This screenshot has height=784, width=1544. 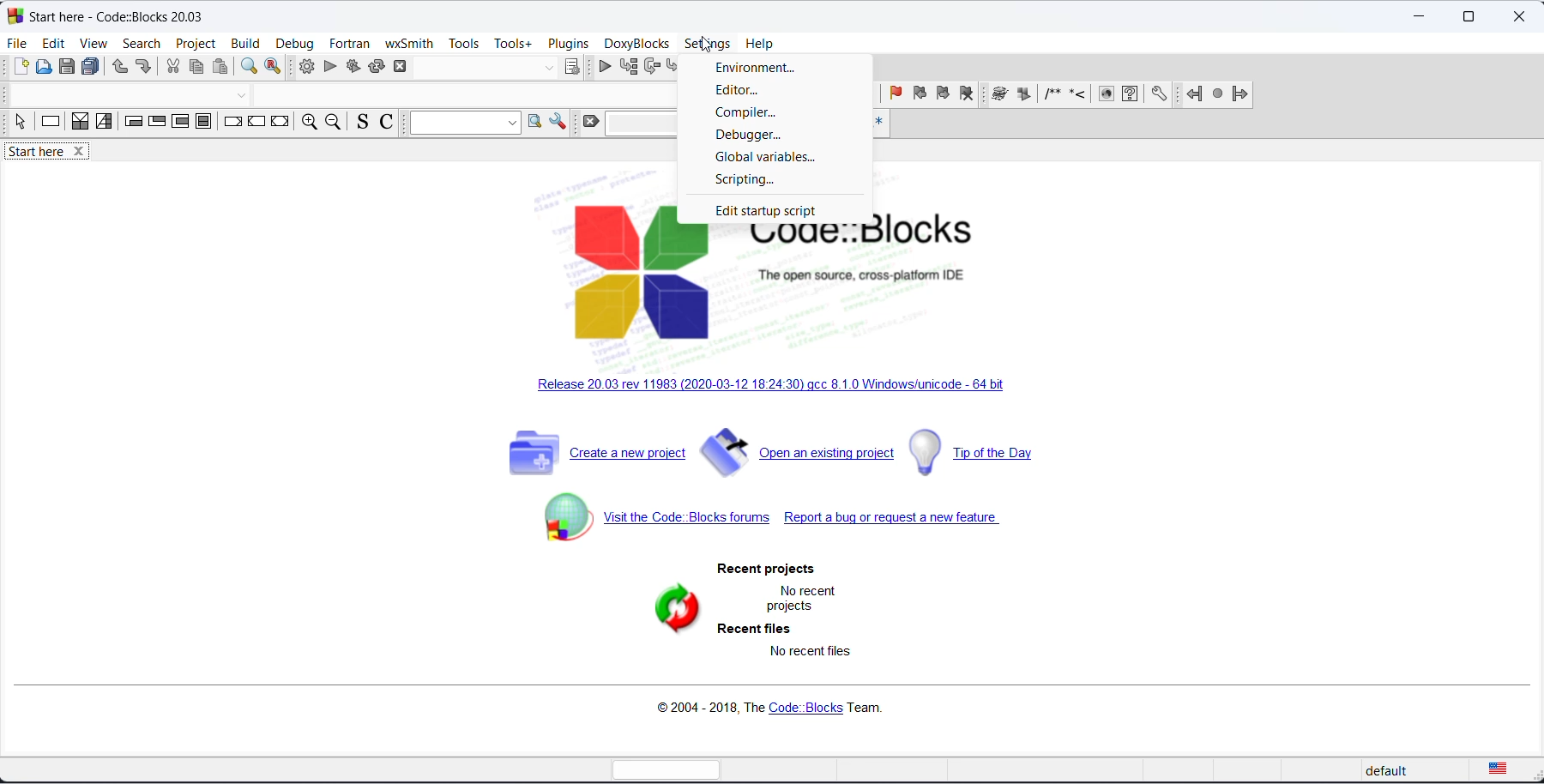 I want to click on continue instruction, so click(x=257, y=120).